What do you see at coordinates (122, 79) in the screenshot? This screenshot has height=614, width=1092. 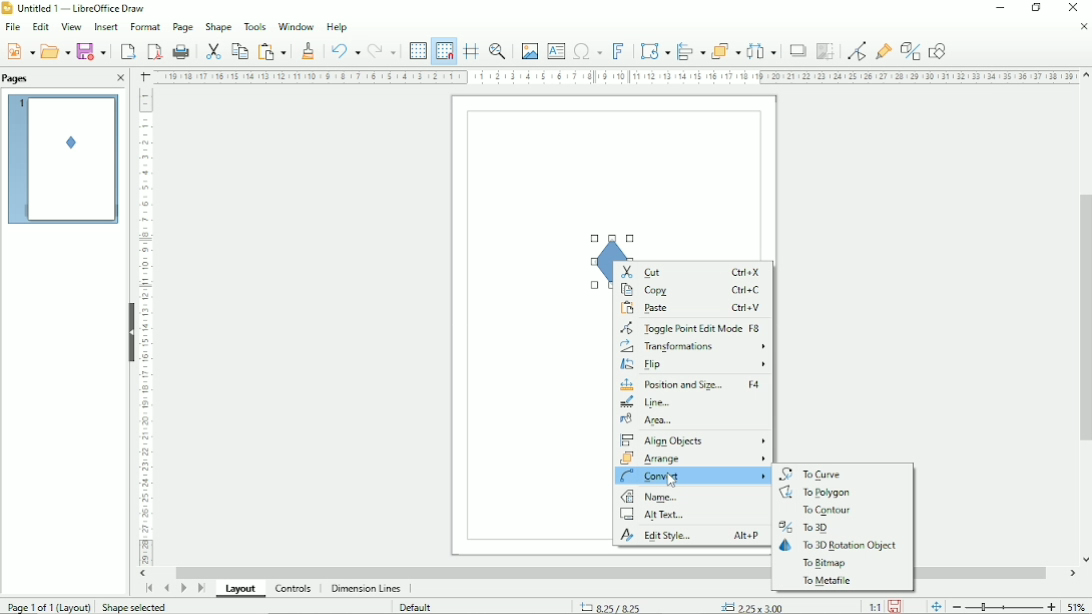 I see `Close` at bounding box center [122, 79].